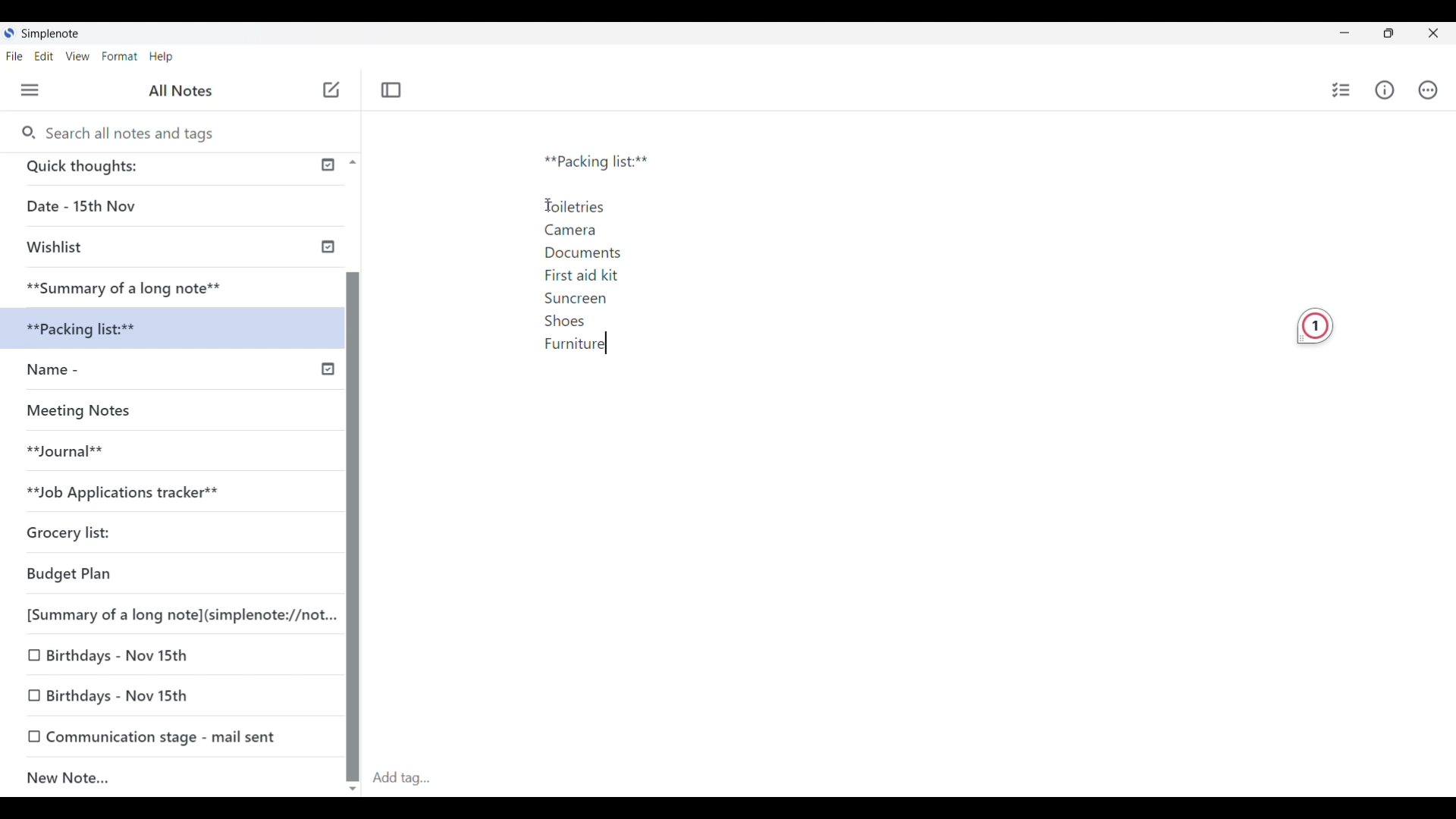  I want to click on New Note..., so click(155, 775).